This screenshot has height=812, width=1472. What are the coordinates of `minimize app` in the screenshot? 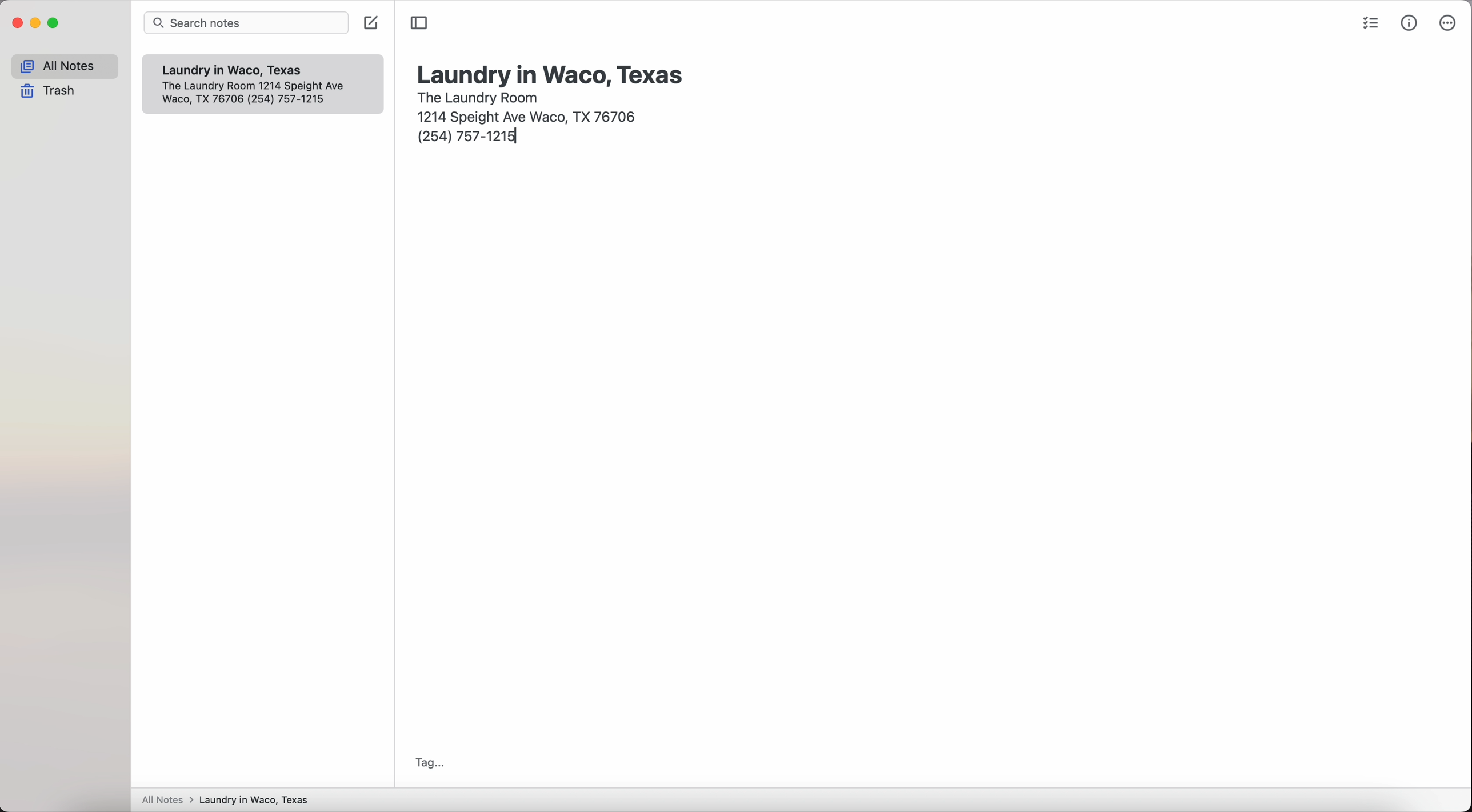 It's located at (36, 23).